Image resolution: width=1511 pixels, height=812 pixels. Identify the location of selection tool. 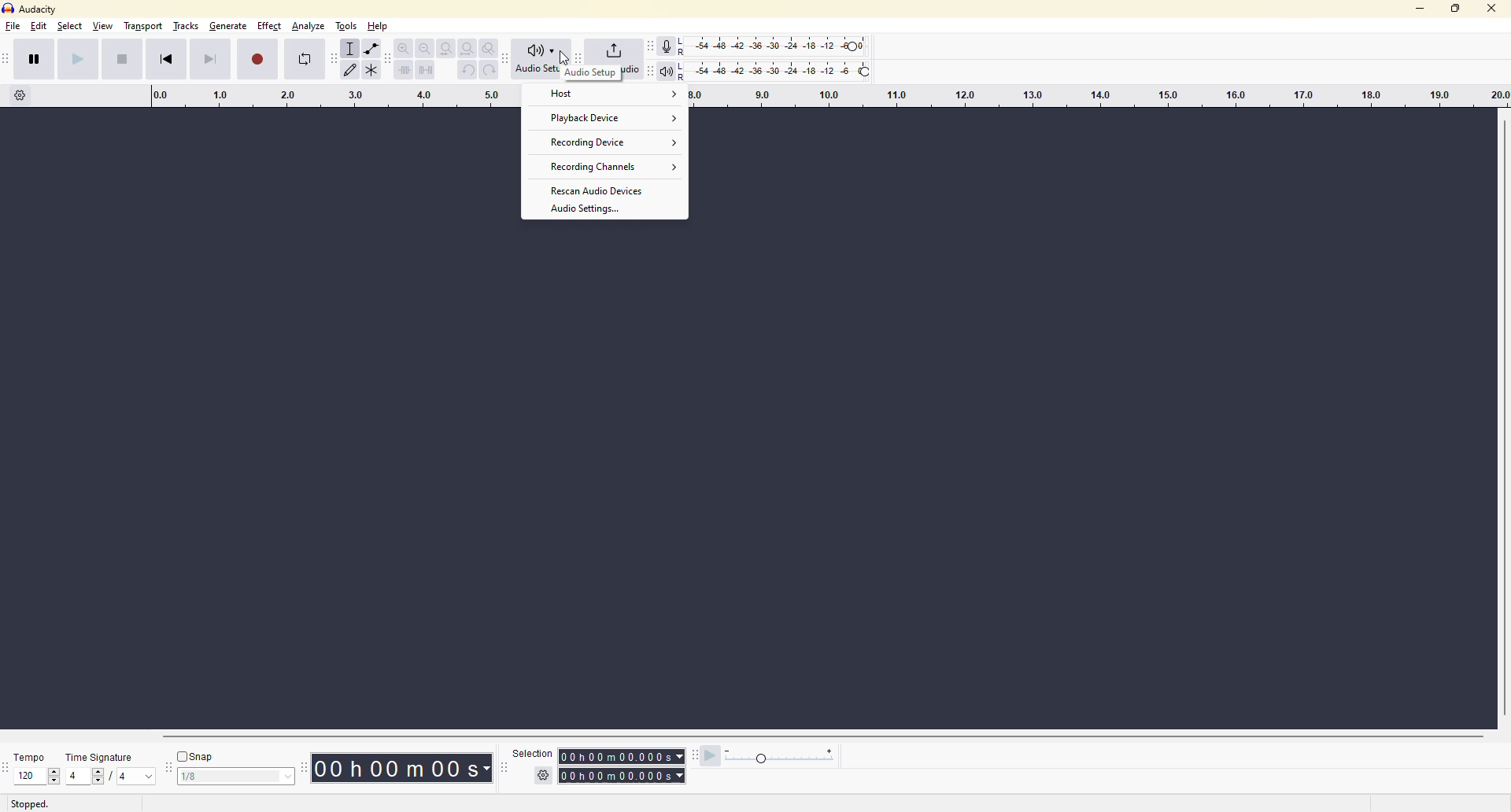
(350, 50).